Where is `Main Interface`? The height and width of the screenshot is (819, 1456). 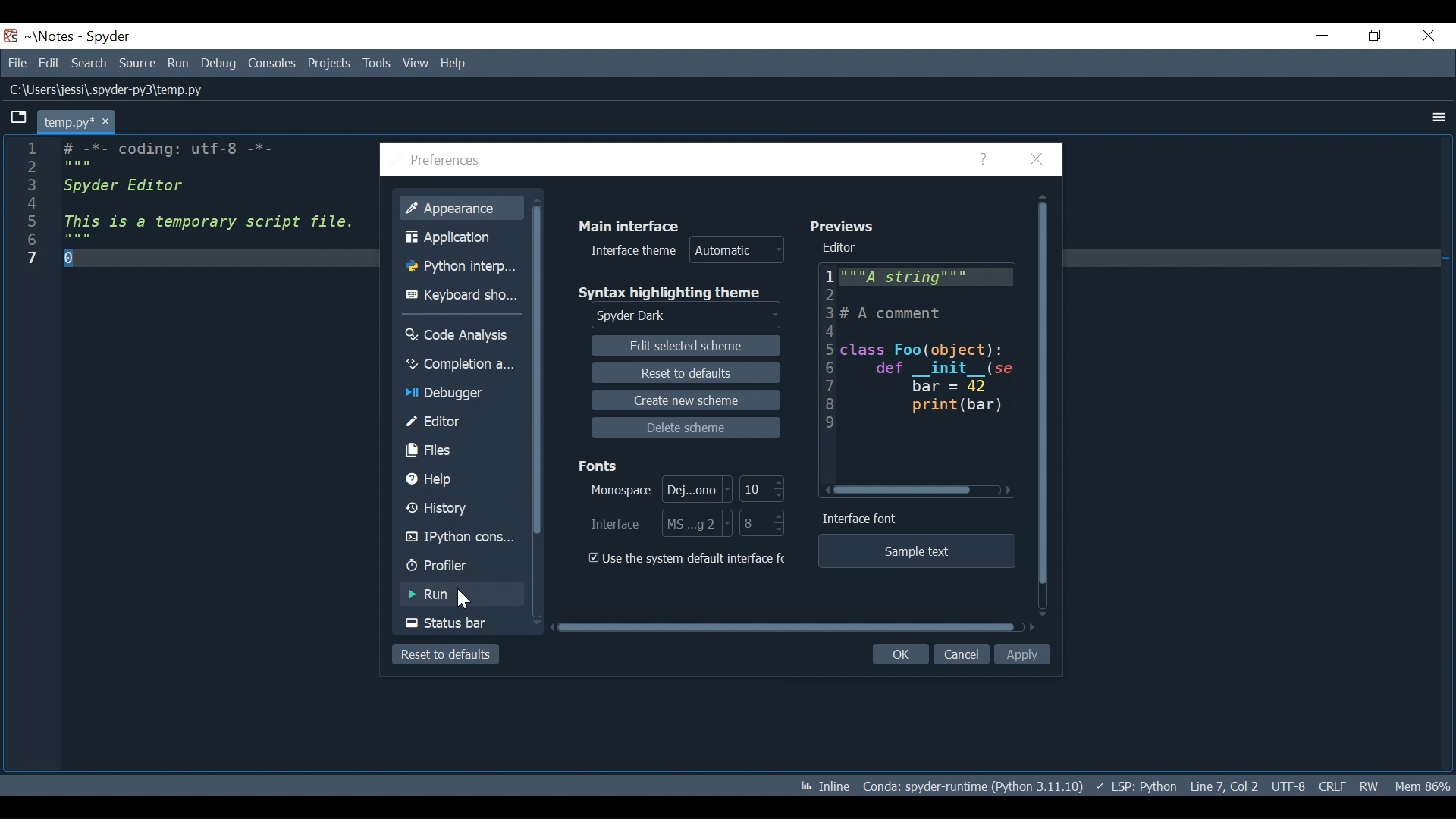 Main Interface is located at coordinates (631, 226).